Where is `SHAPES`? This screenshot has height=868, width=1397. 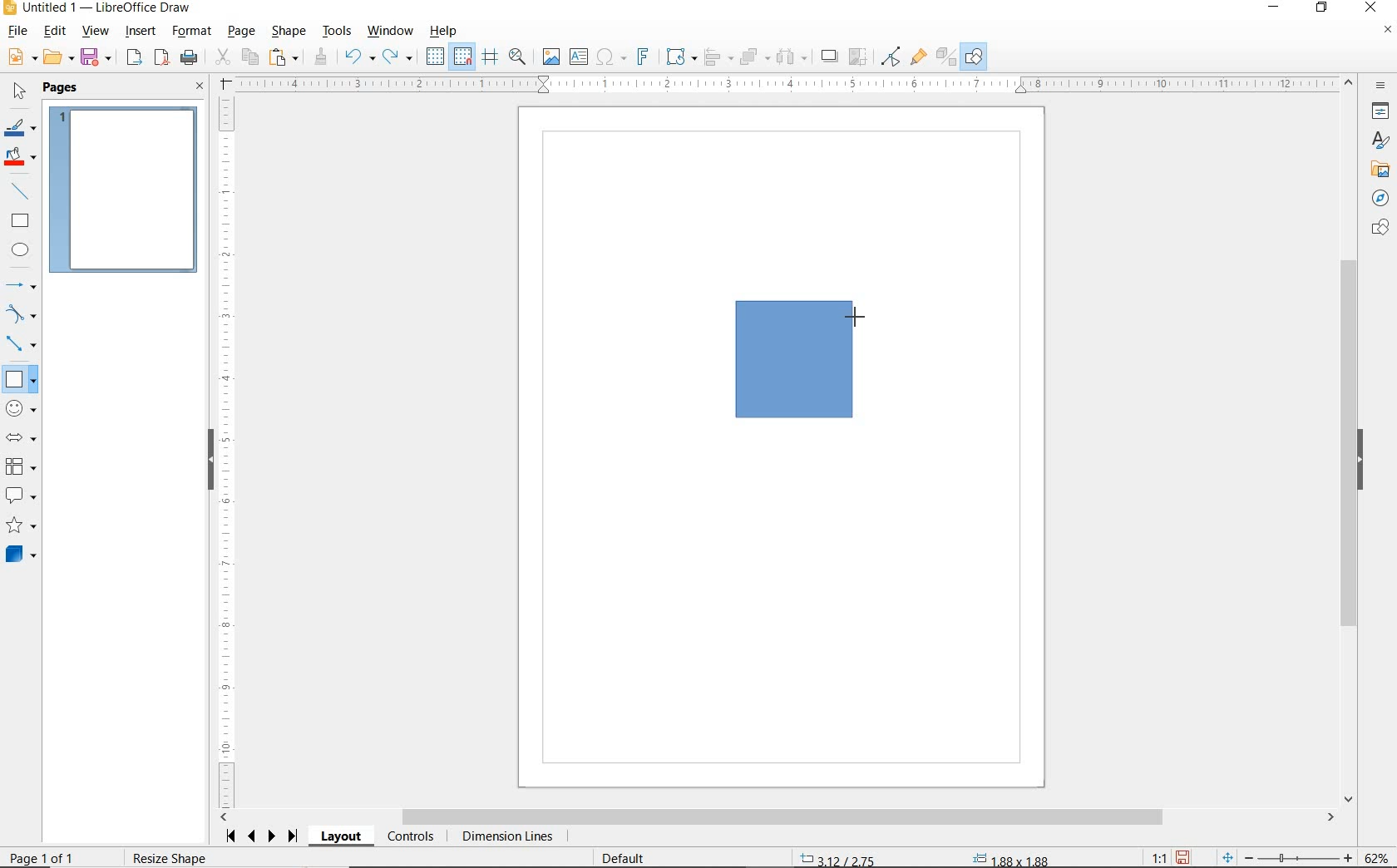 SHAPES is located at coordinates (1378, 229).